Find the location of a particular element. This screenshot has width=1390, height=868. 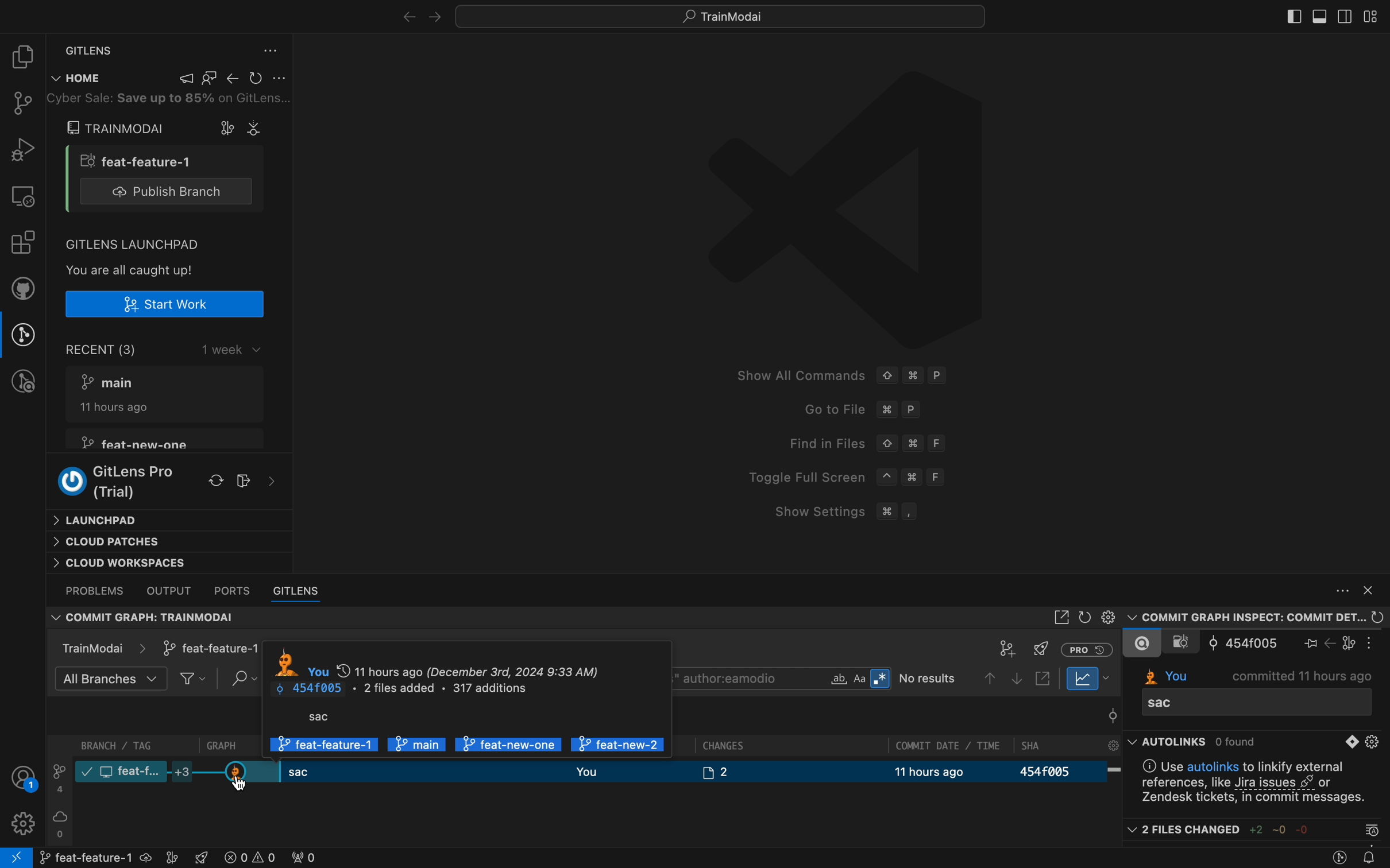

graph is located at coordinates (264, 127).